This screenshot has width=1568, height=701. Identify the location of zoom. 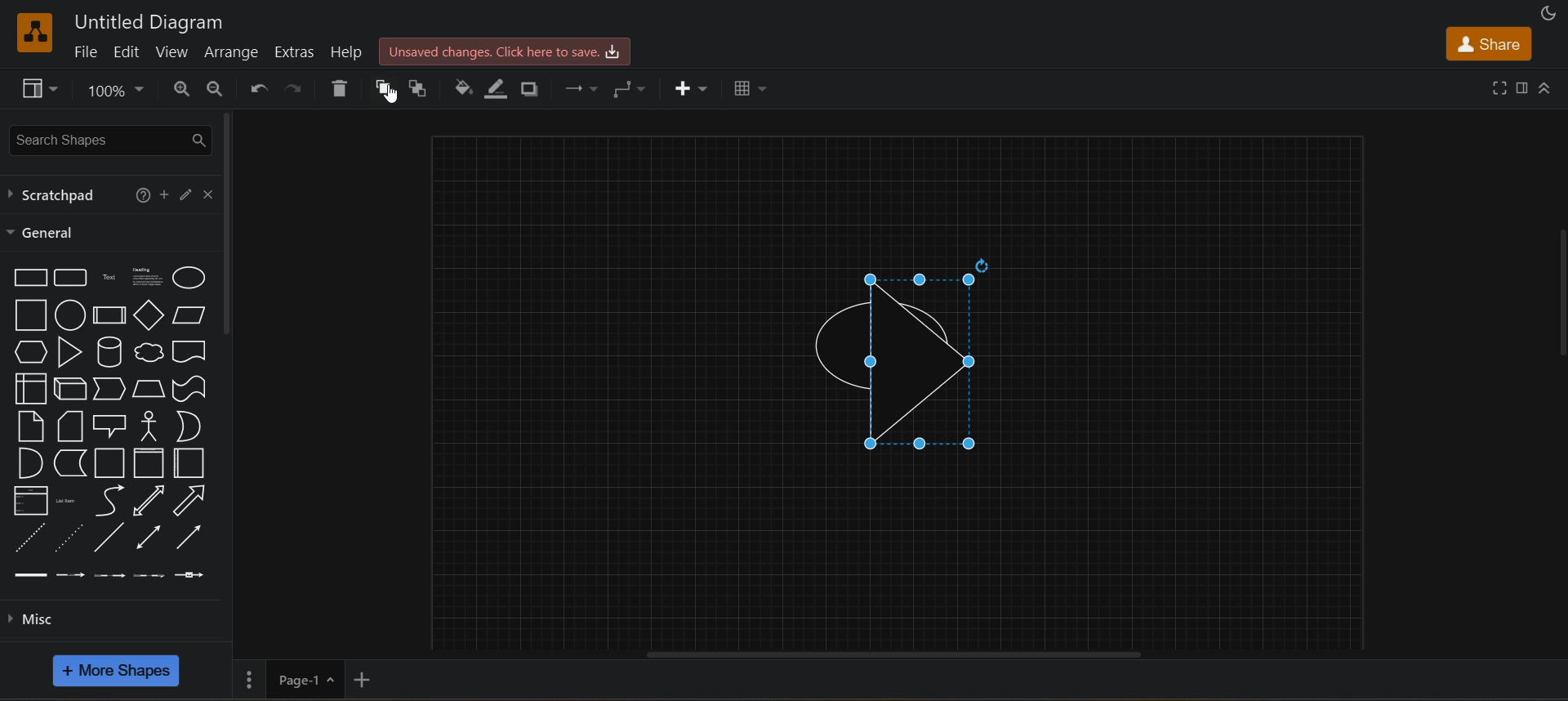
(118, 90).